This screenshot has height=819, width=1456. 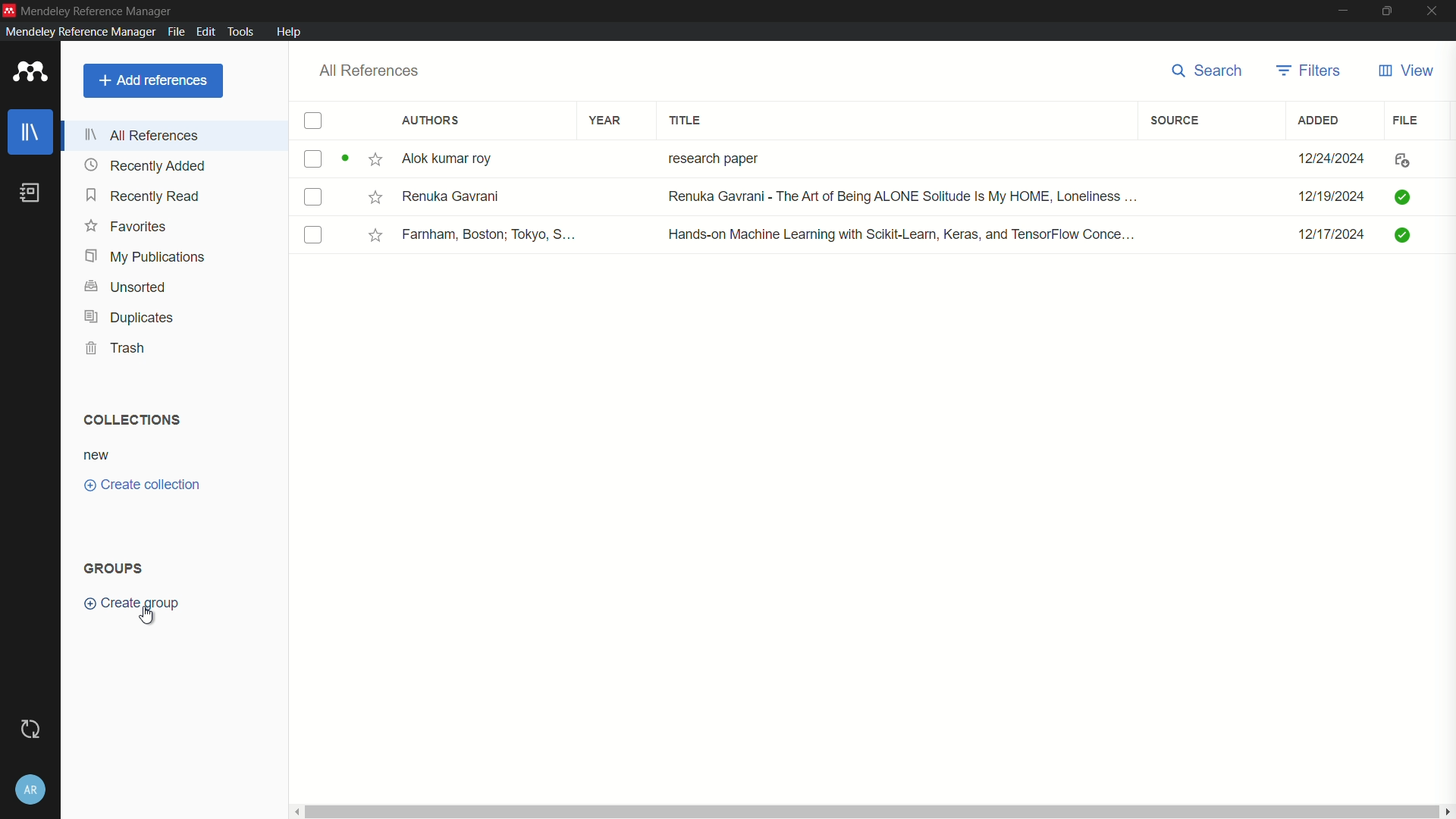 What do you see at coordinates (1309, 70) in the screenshot?
I see `filters` at bounding box center [1309, 70].